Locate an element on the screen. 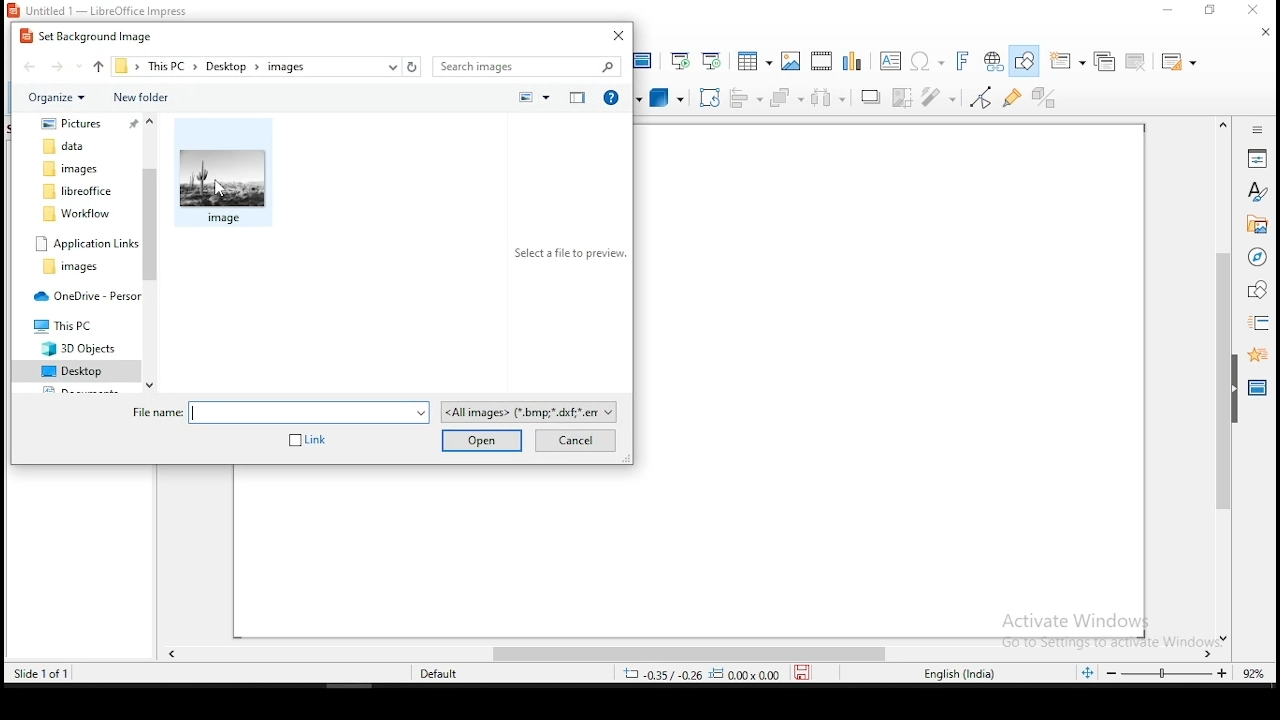  slide layout is located at coordinates (1183, 61).